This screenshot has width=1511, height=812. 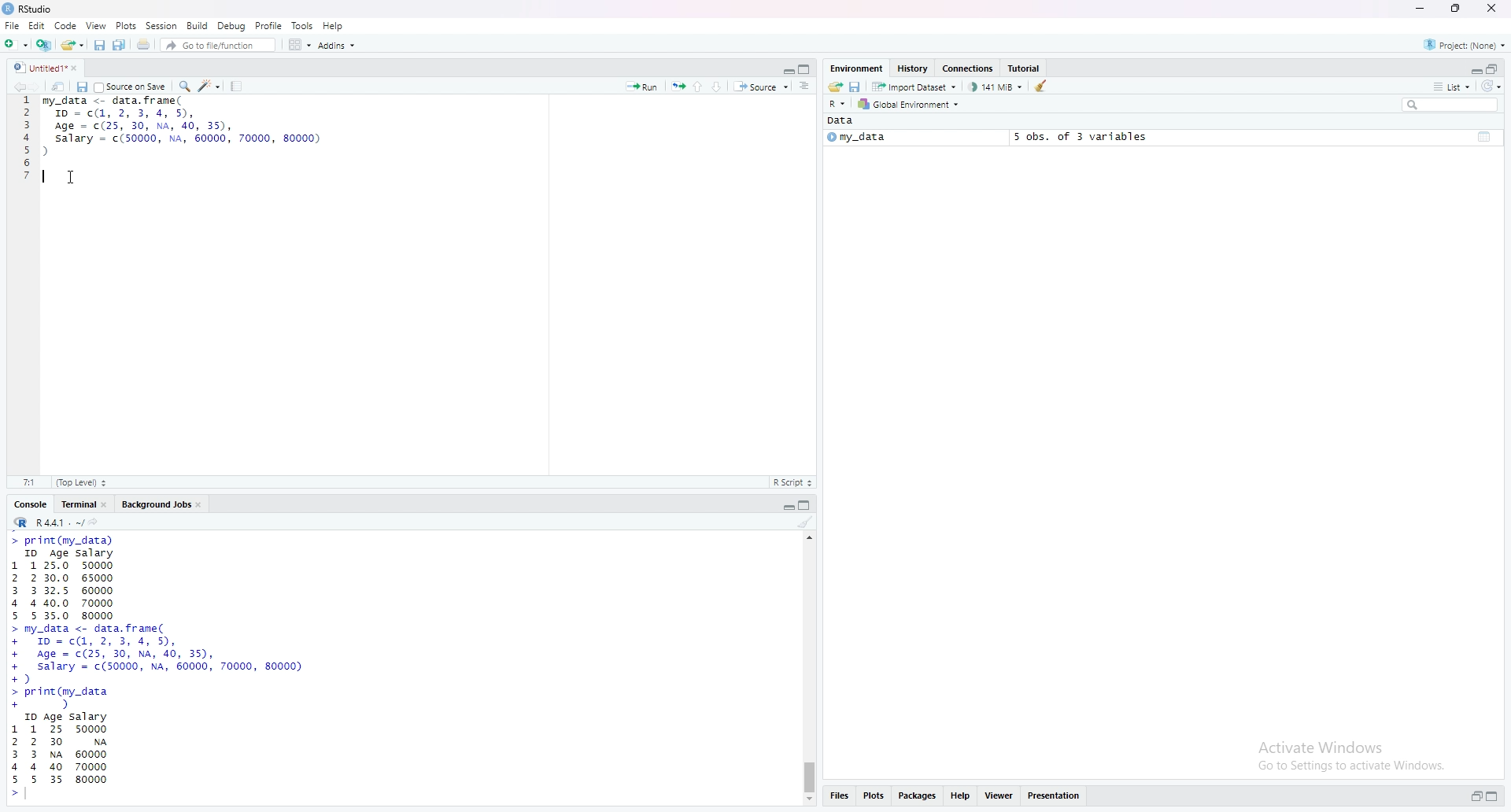 What do you see at coordinates (969, 69) in the screenshot?
I see `connections` at bounding box center [969, 69].